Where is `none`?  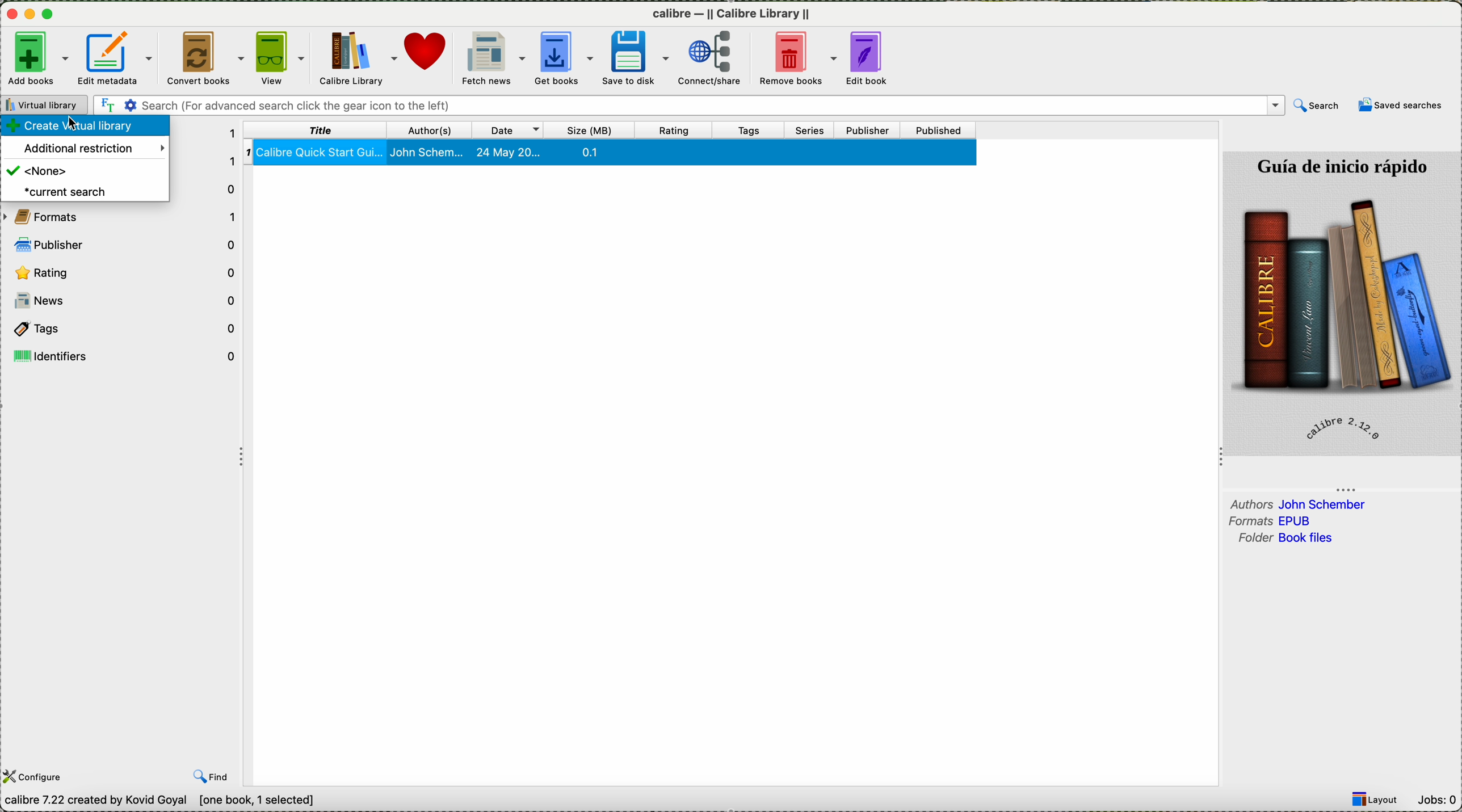
none is located at coordinates (38, 173).